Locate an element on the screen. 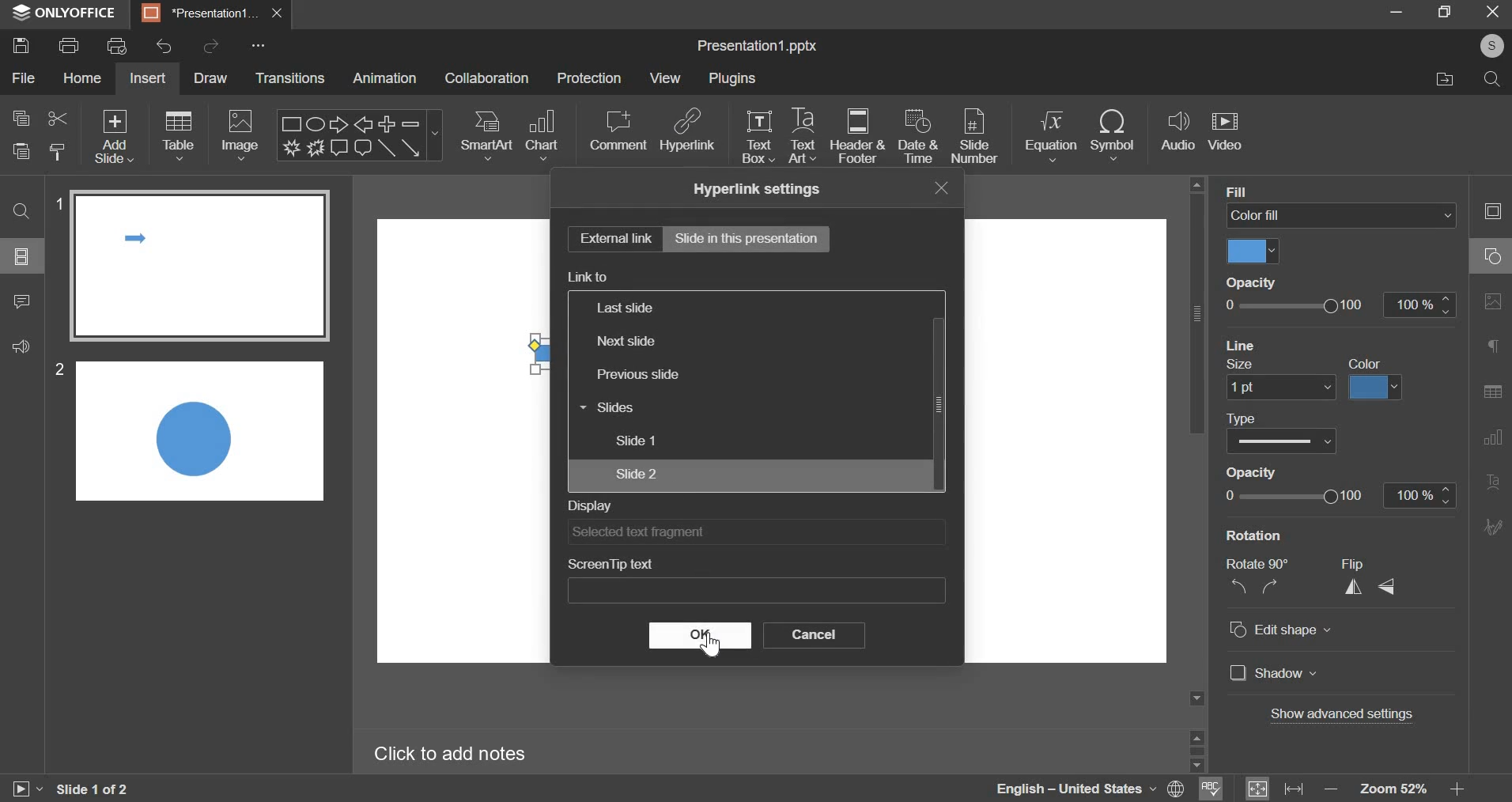 The width and height of the screenshot is (1512, 802). opacity is located at coordinates (1258, 282).